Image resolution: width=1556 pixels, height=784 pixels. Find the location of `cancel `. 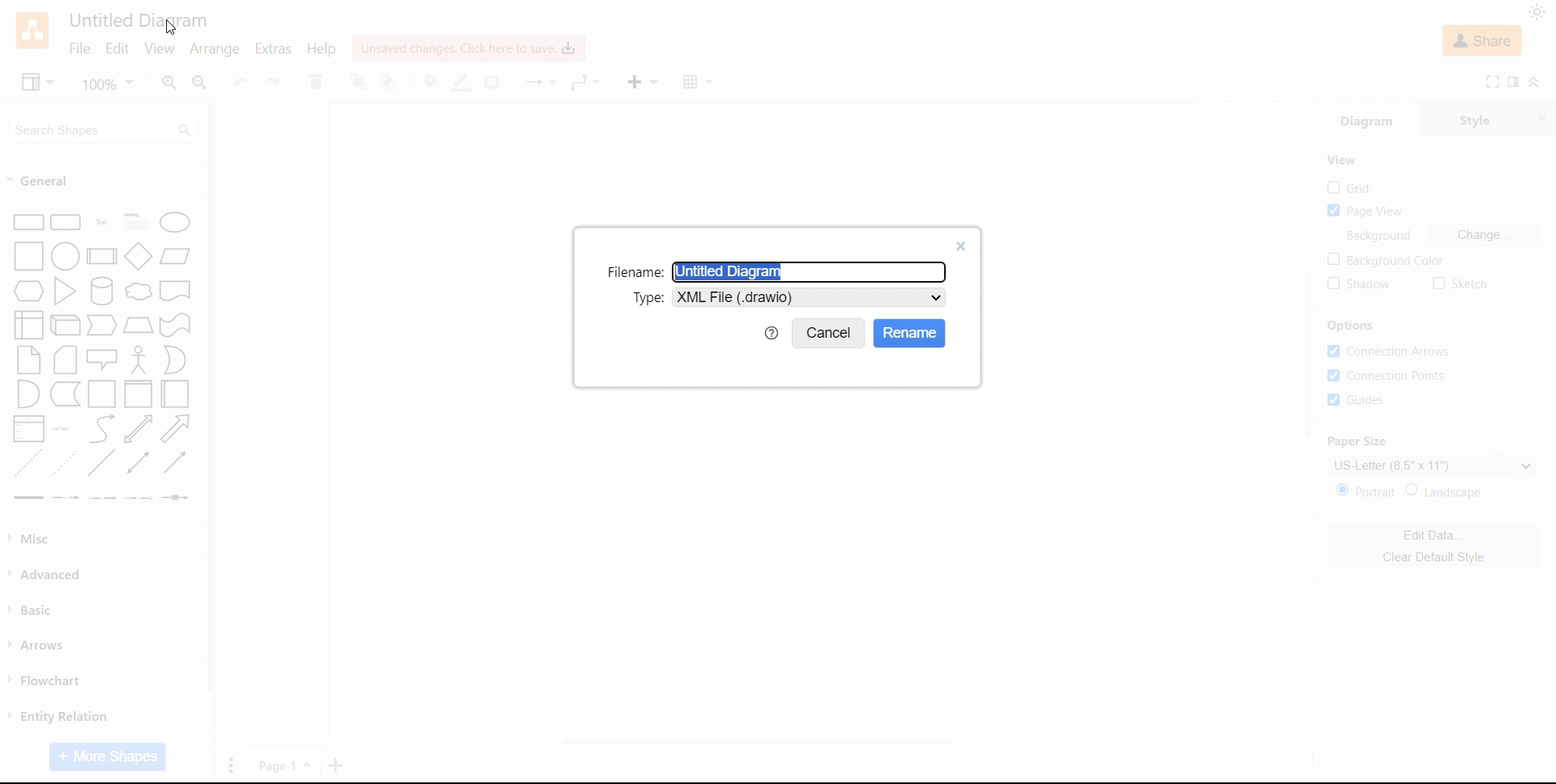

cancel  is located at coordinates (829, 334).